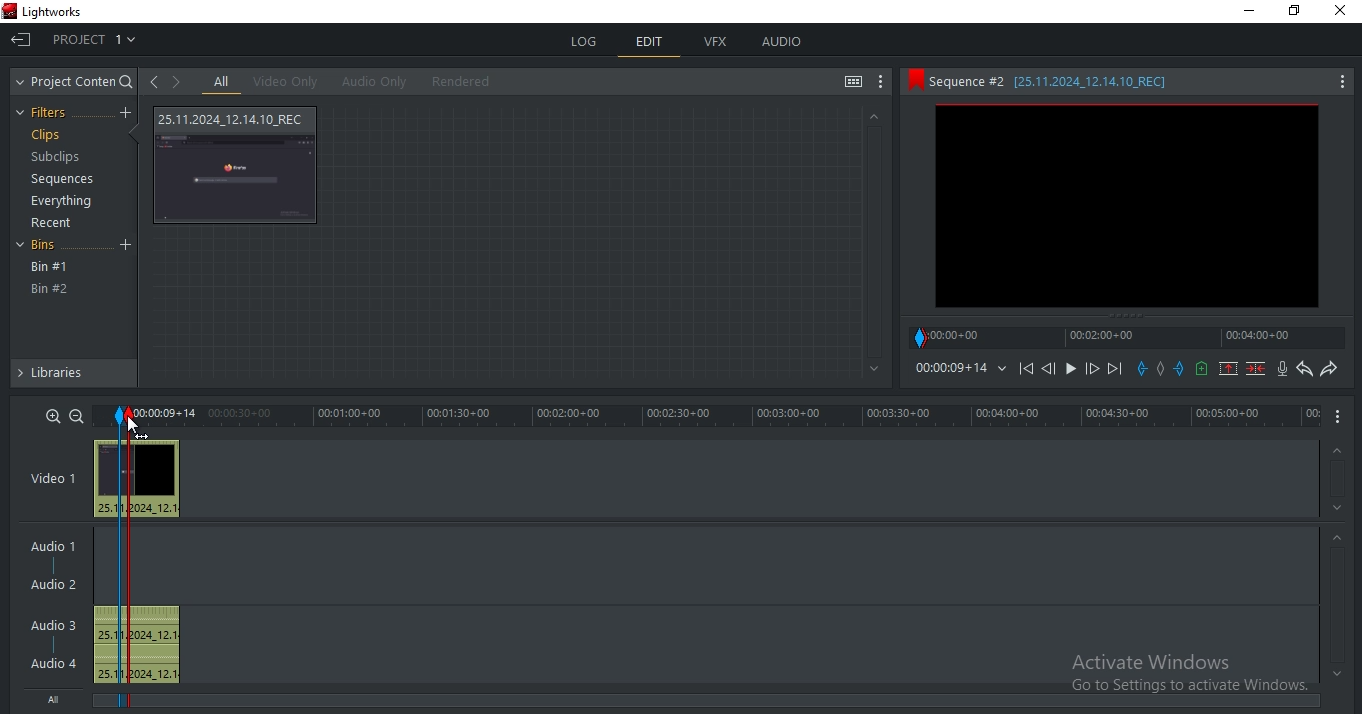 The image size is (1362, 714). Describe the element at coordinates (54, 415) in the screenshot. I see `zoom in` at that location.